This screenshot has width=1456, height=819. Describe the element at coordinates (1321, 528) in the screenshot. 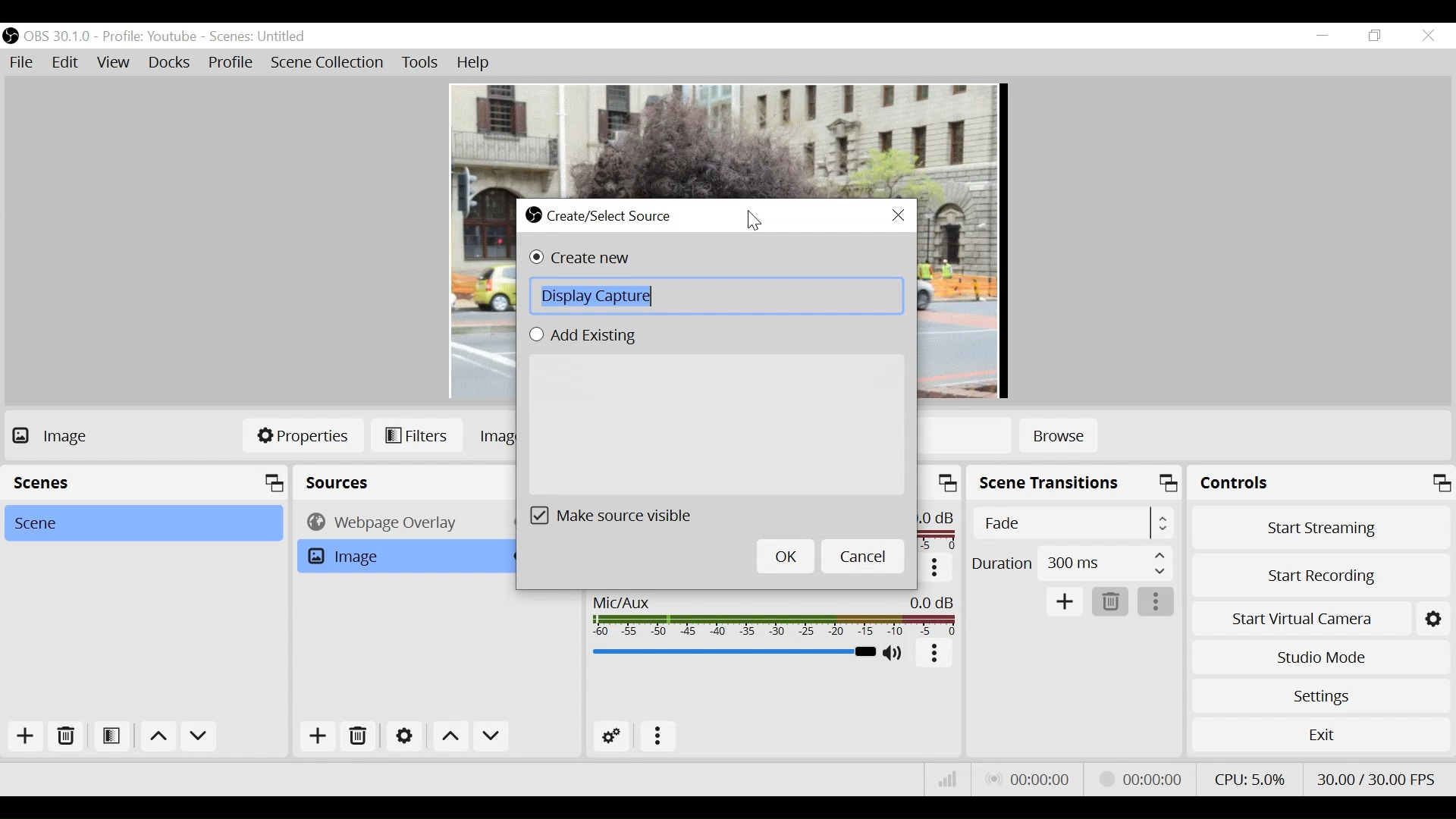

I see `Start Streaming` at that location.